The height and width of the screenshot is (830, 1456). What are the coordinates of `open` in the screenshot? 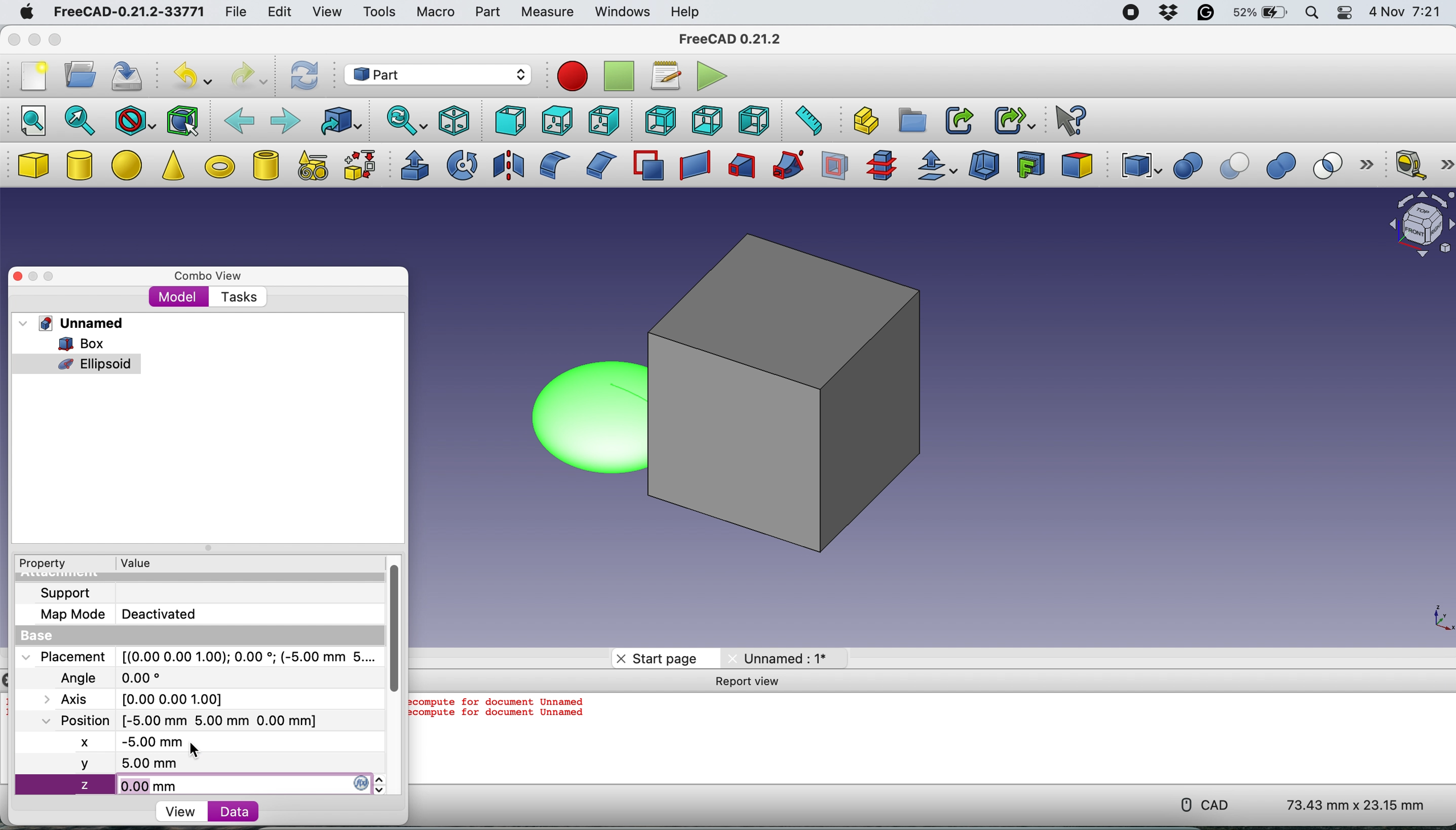 It's located at (76, 75).